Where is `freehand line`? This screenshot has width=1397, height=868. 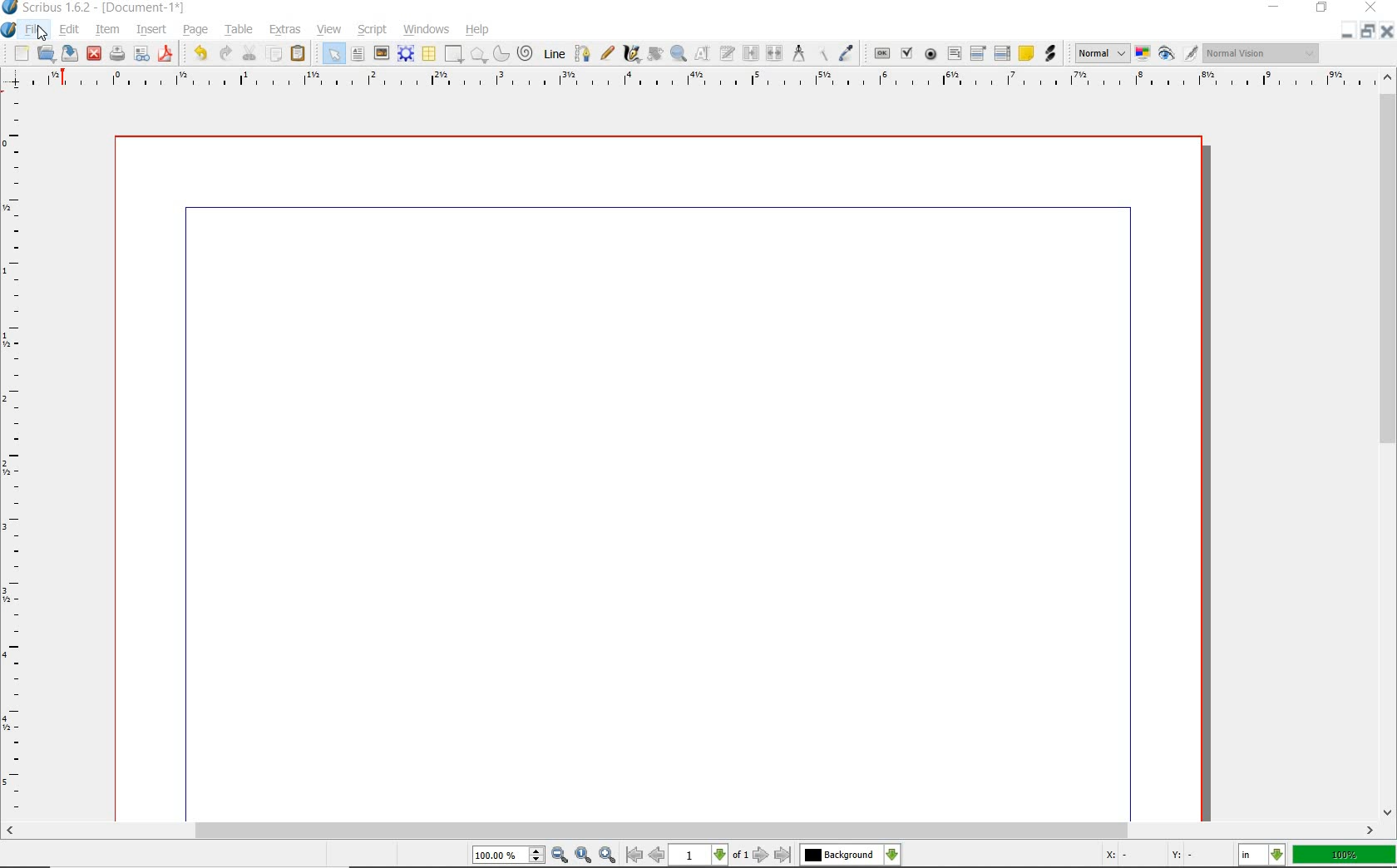
freehand line is located at coordinates (605, 52).